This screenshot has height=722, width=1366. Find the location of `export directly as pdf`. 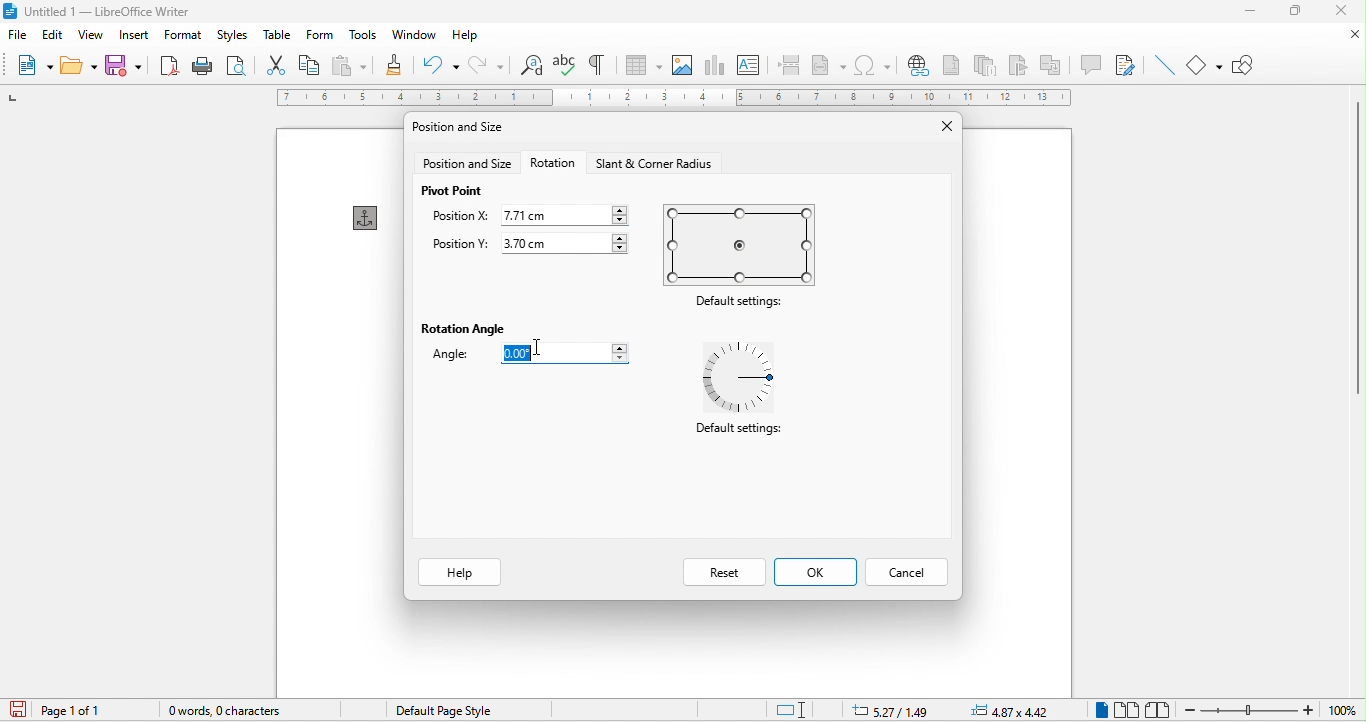

export directly as pdf is located at coordinates (169, 64).